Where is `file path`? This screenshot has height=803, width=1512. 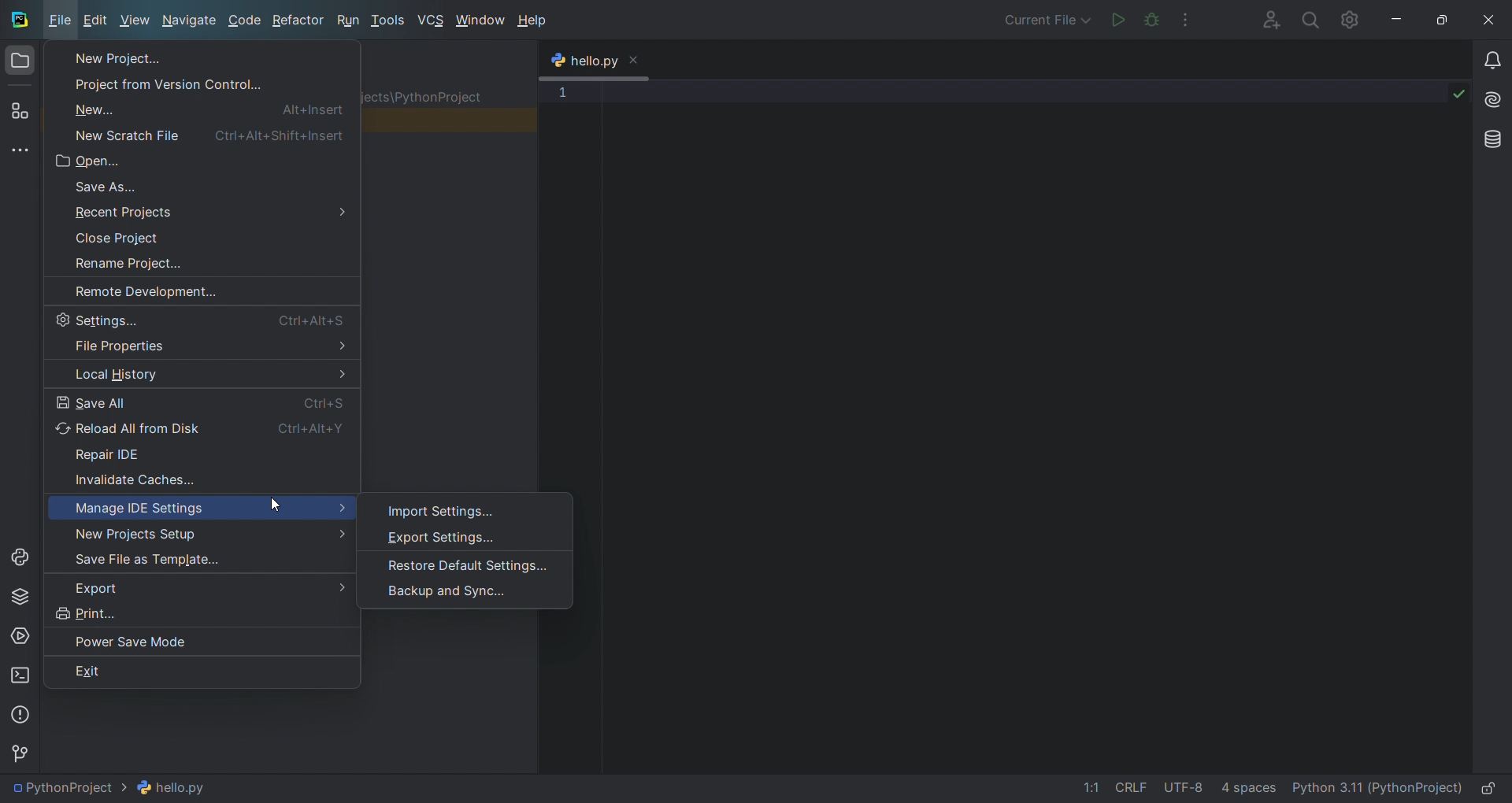
file path is located at coordinates (110, 789).